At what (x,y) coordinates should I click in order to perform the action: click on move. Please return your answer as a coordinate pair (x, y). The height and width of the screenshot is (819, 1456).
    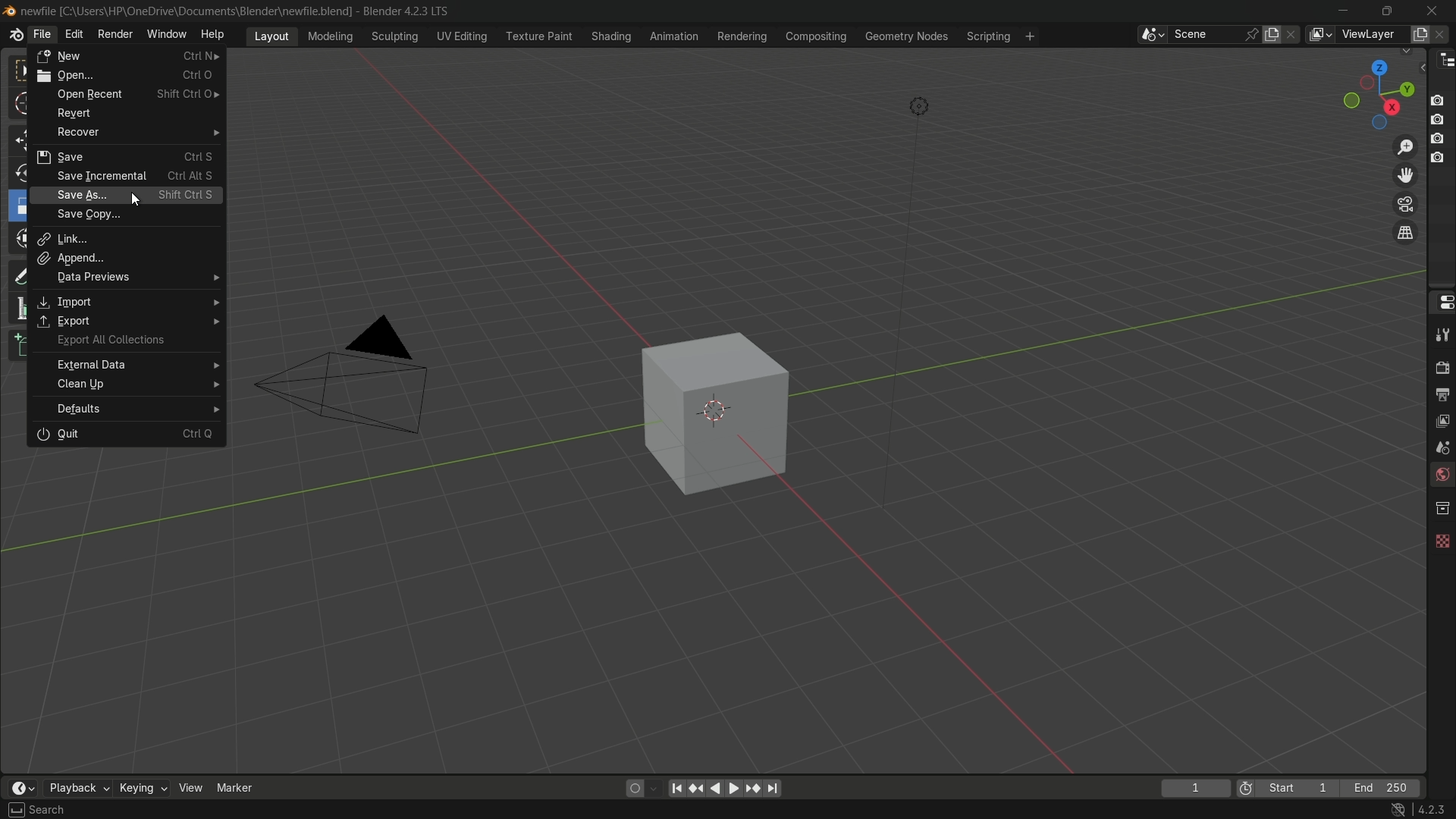
    Looking at the image, I should click on (17, 139).